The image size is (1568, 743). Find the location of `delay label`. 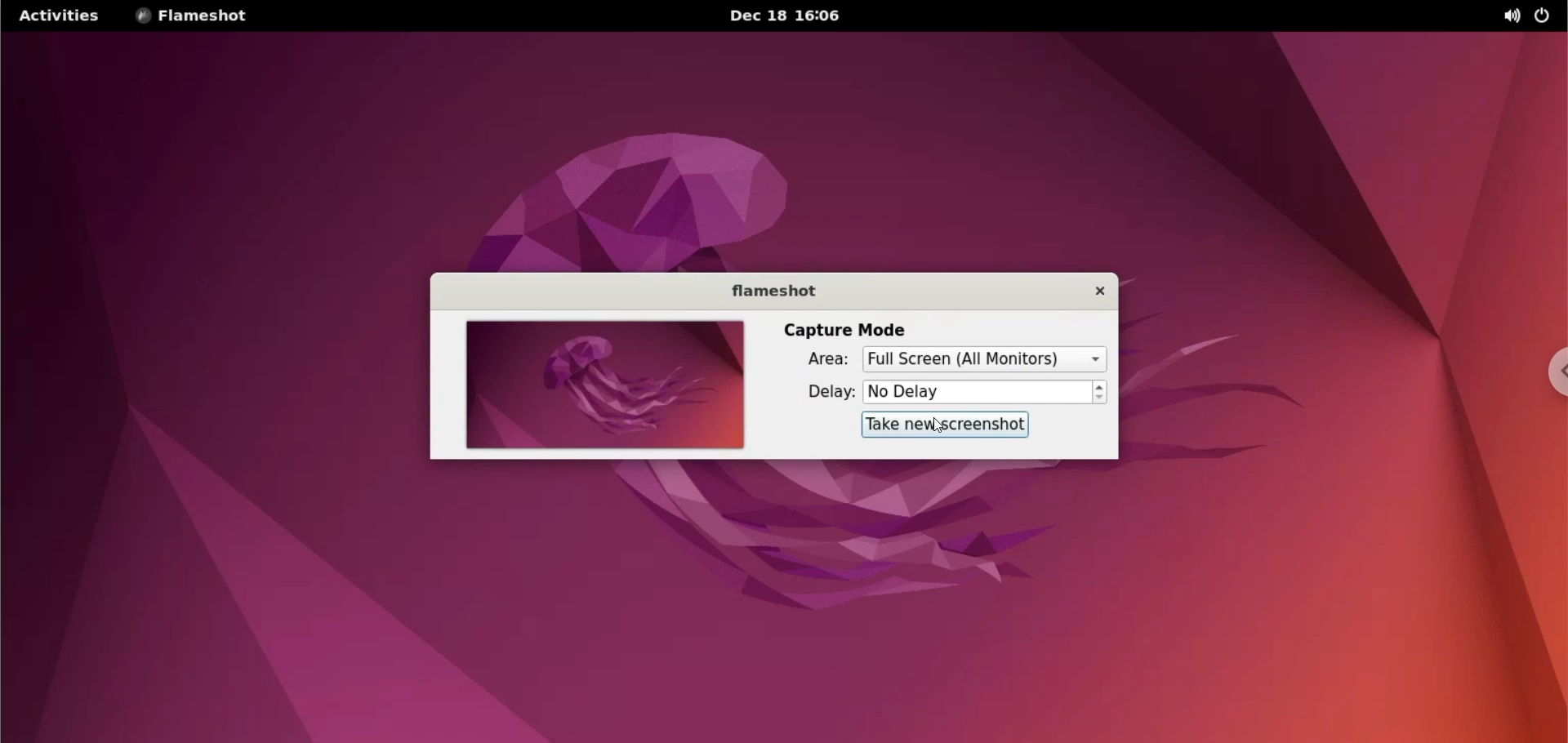

delay label is located at coordinates (824, 390).